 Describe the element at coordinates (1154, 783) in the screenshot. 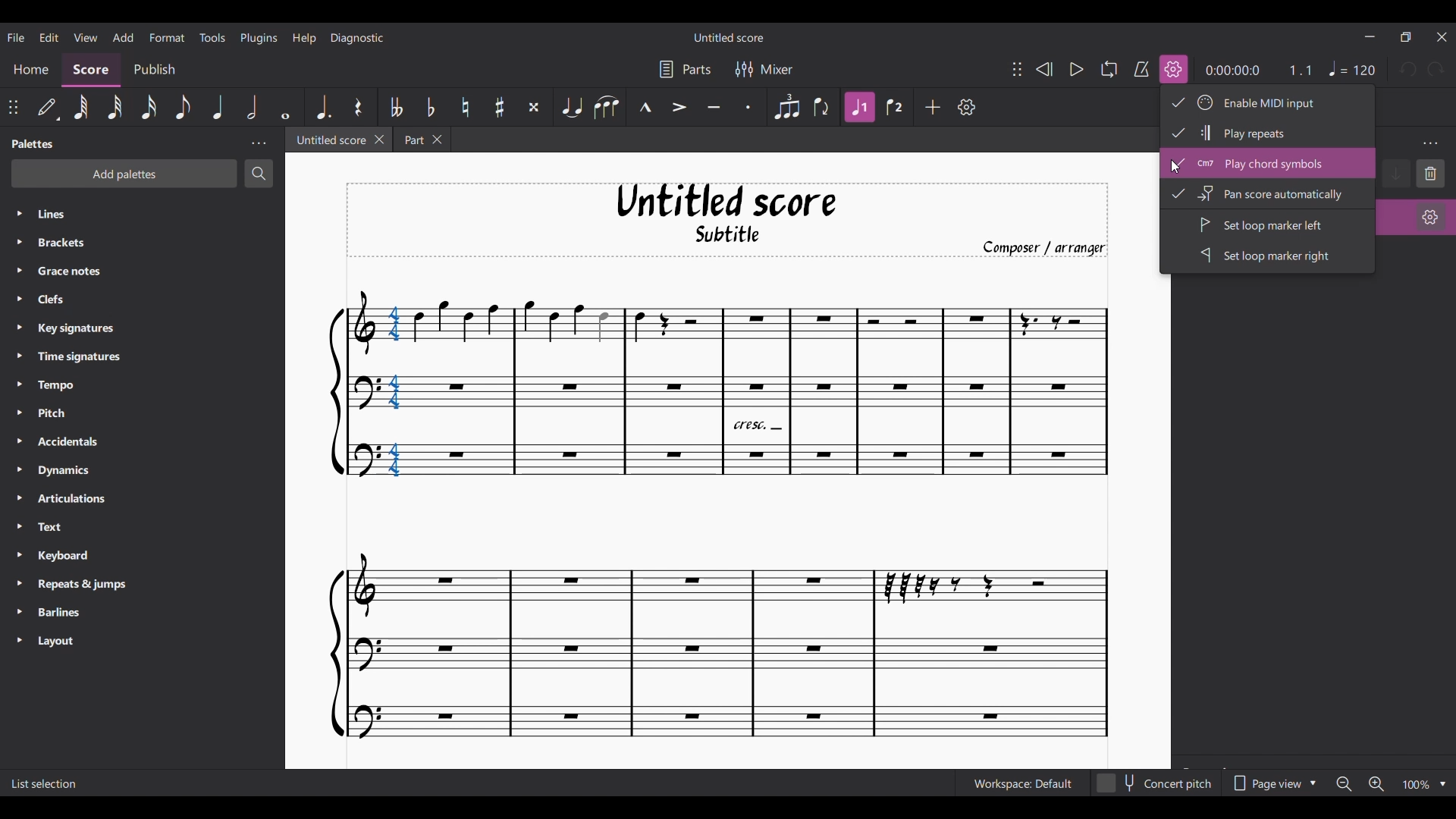

I see `Toggle for Concert pitch ` at that location.